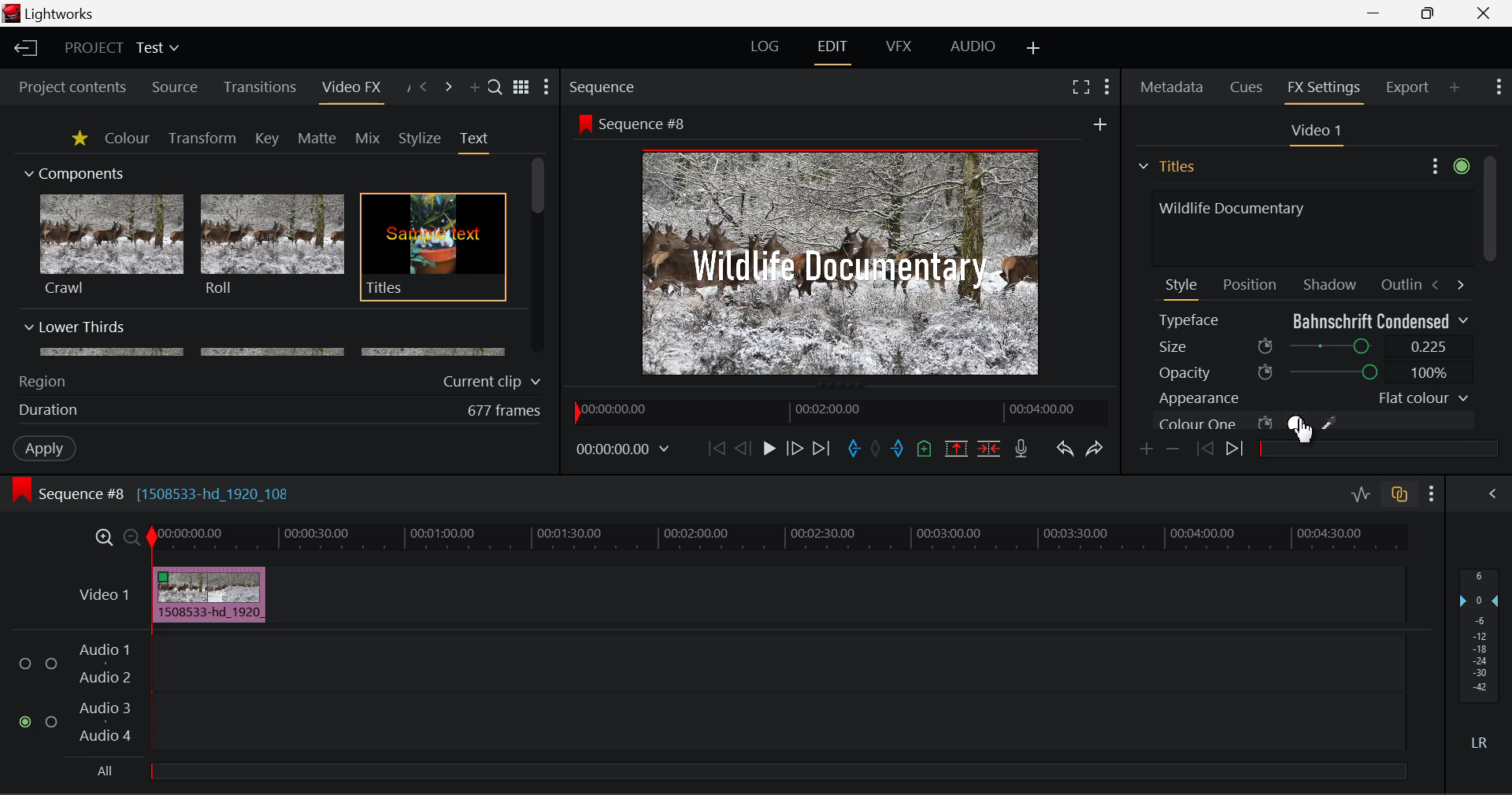 The width and height of the screenshot is (1512, 795). Describe the element at coordinates (1312, 398) in the screenshot. I see `Appearance` at that location.